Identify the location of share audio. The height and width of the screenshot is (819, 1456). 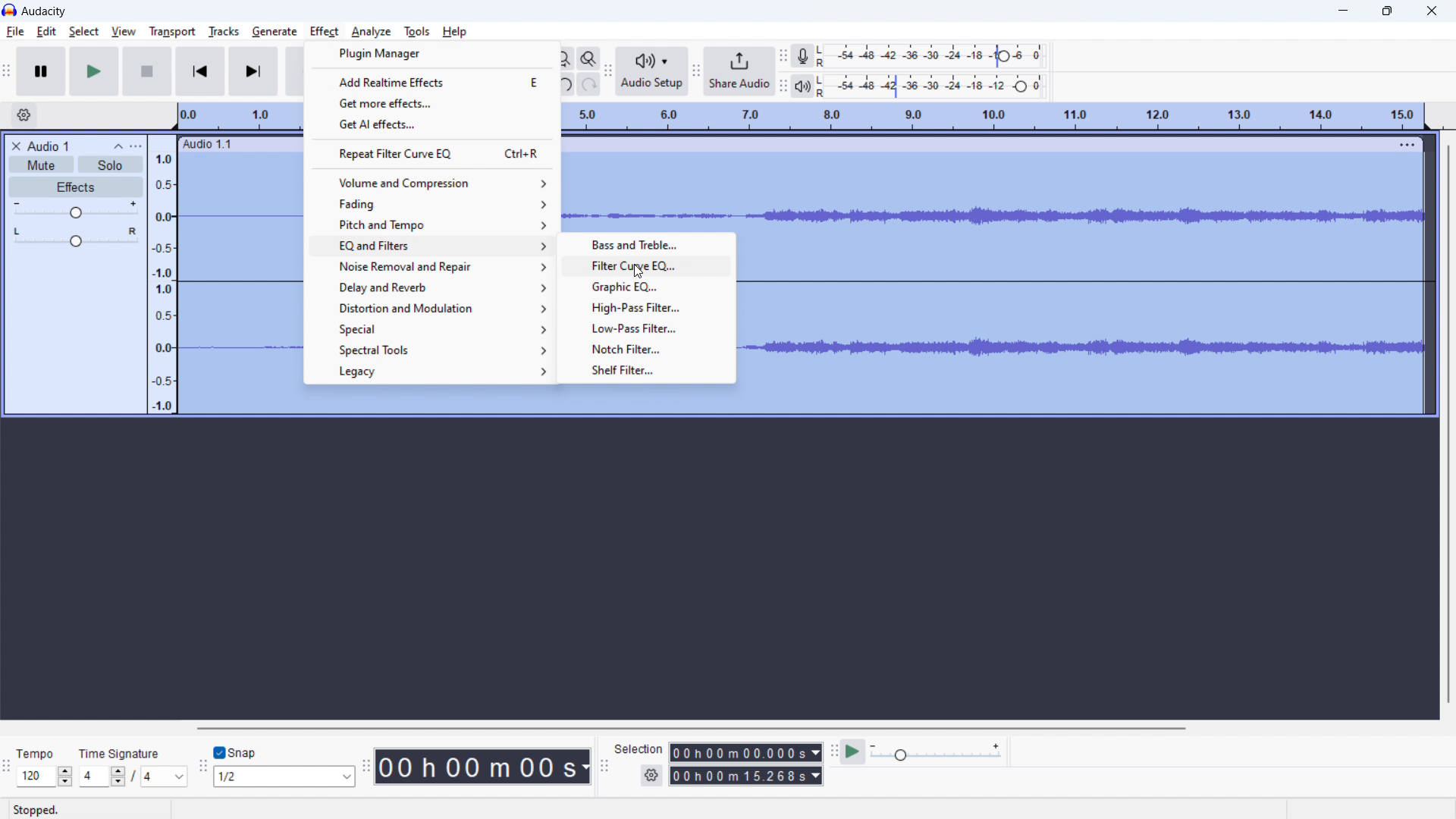
(741, 71).